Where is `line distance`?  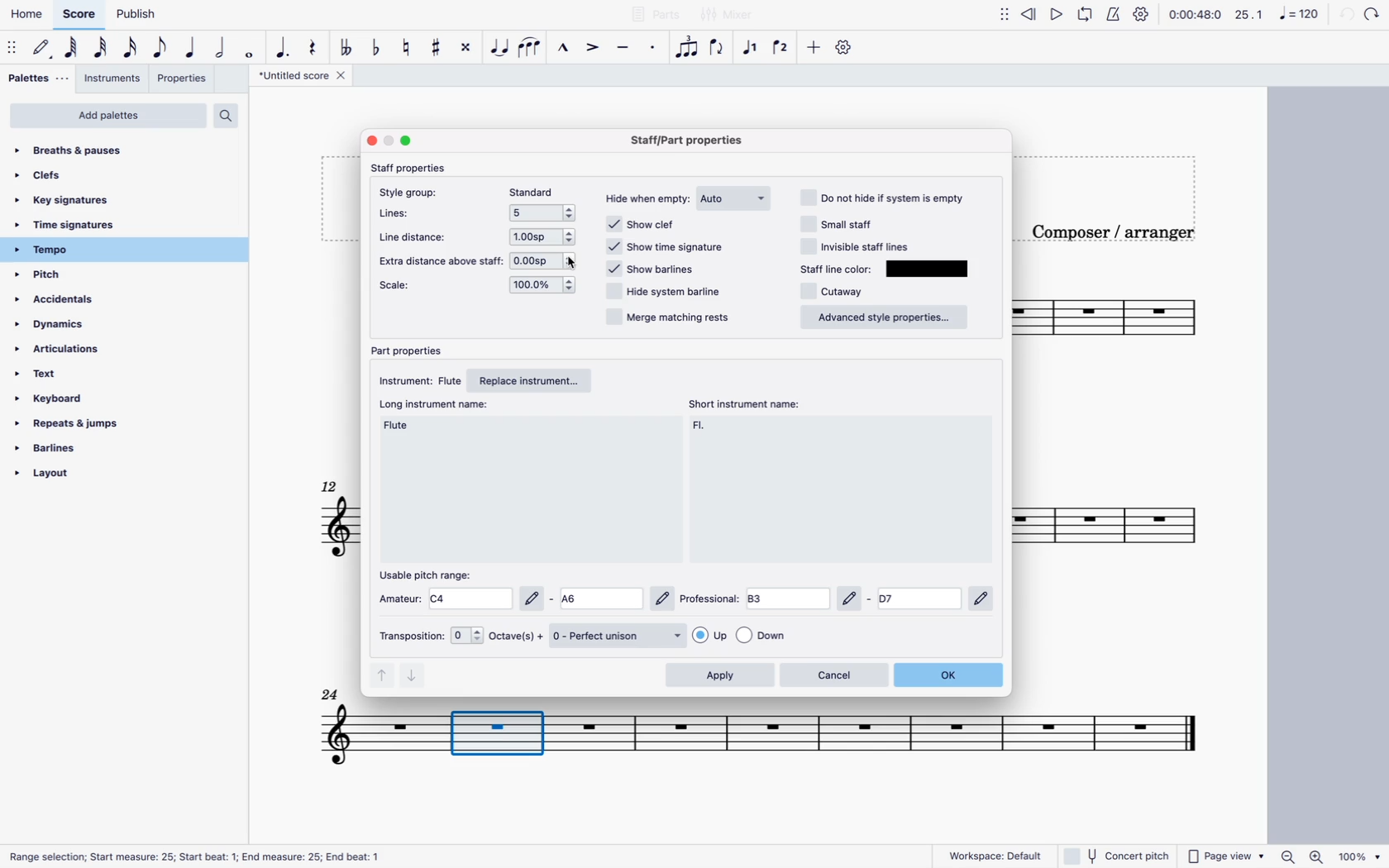 line distance is located at coordinates (417, 236).